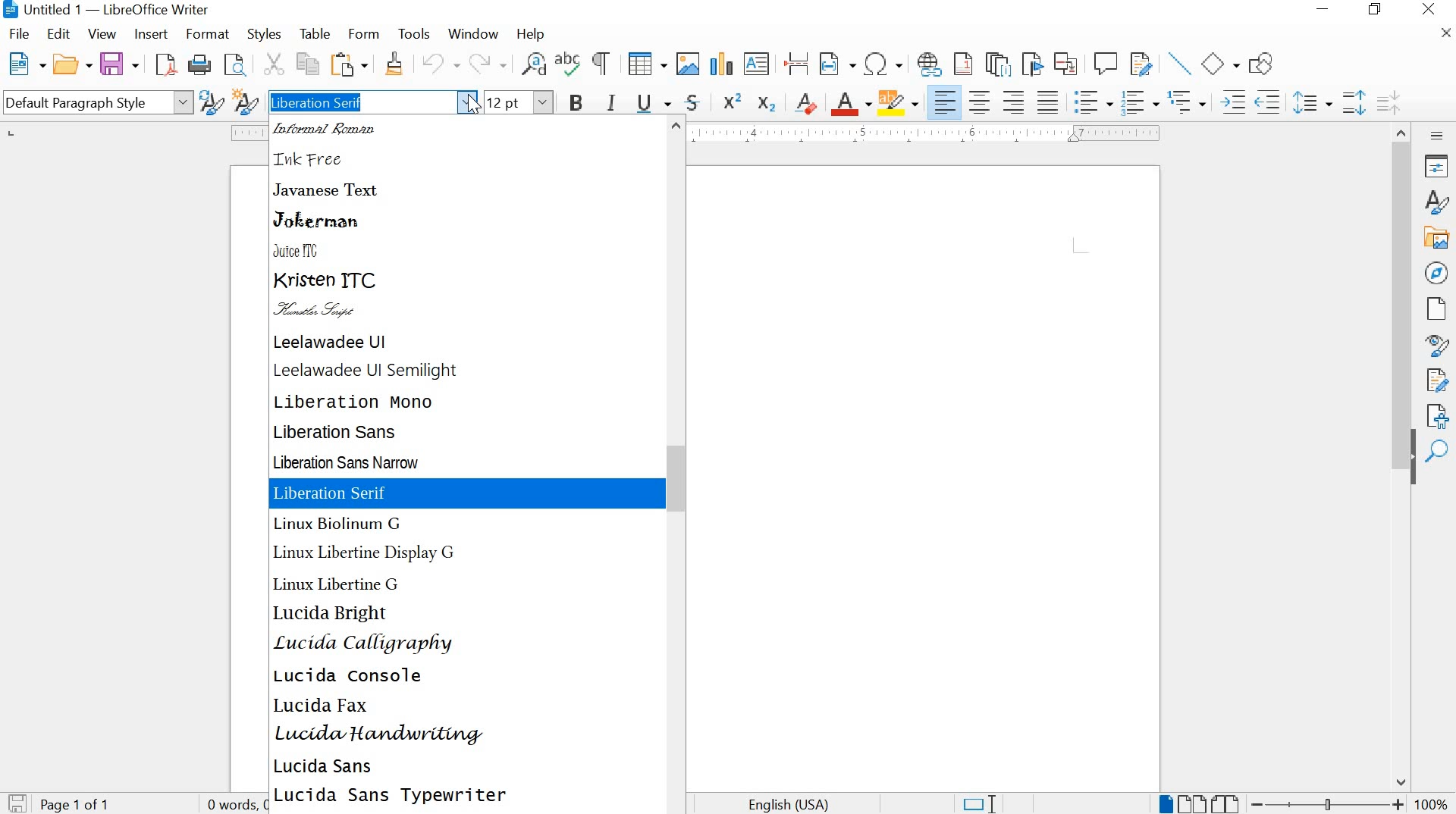 The height and width of the screenshot is (814, 1456). What do you see at coordinates (1269, 101) in the screenshot?
I see `DECREASE INDENT` at bounding box center [1269, 101].